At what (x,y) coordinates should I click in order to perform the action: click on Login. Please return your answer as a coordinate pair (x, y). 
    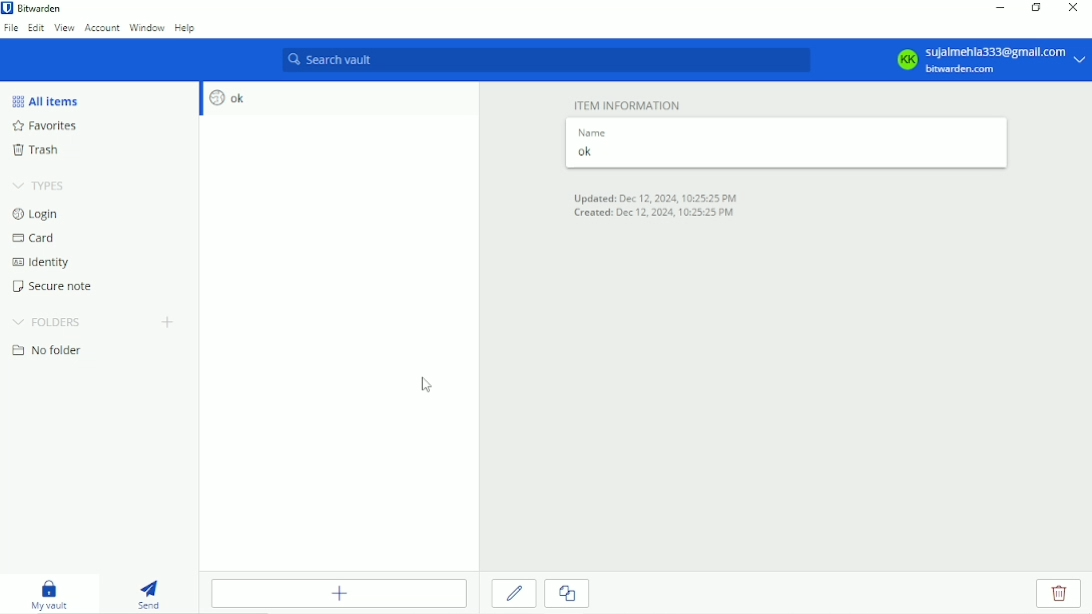
    Looking at the image, I should click on (36, 214).